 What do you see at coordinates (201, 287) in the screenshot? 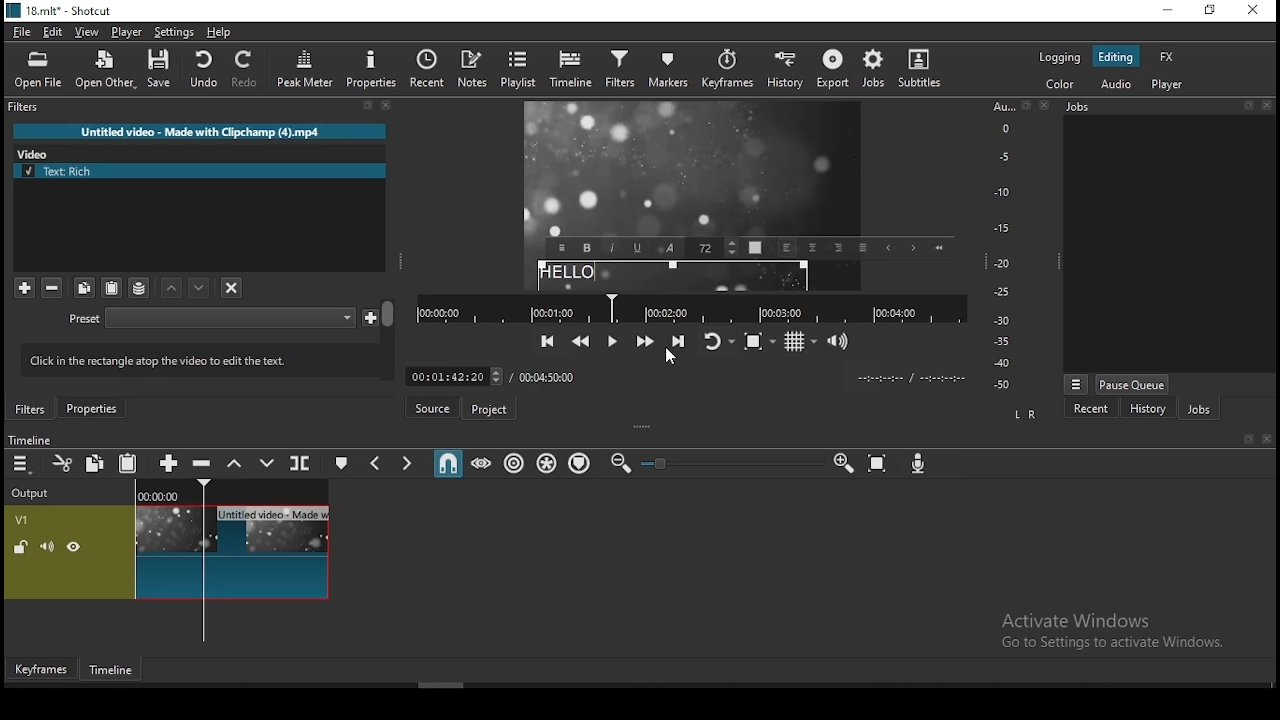
I see `move filter up` at bounding box center [201, 287].